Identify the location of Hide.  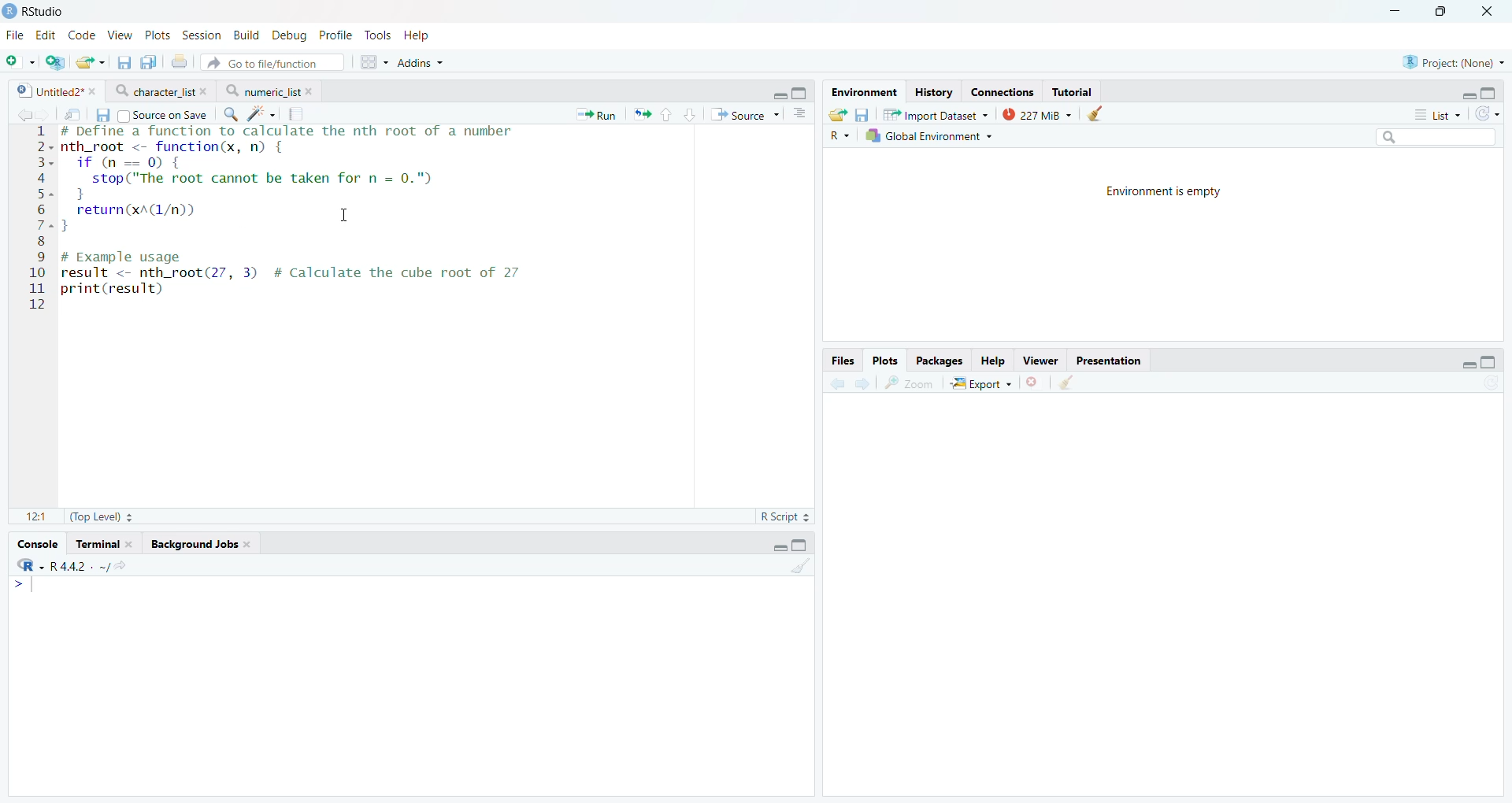
(778, 547).